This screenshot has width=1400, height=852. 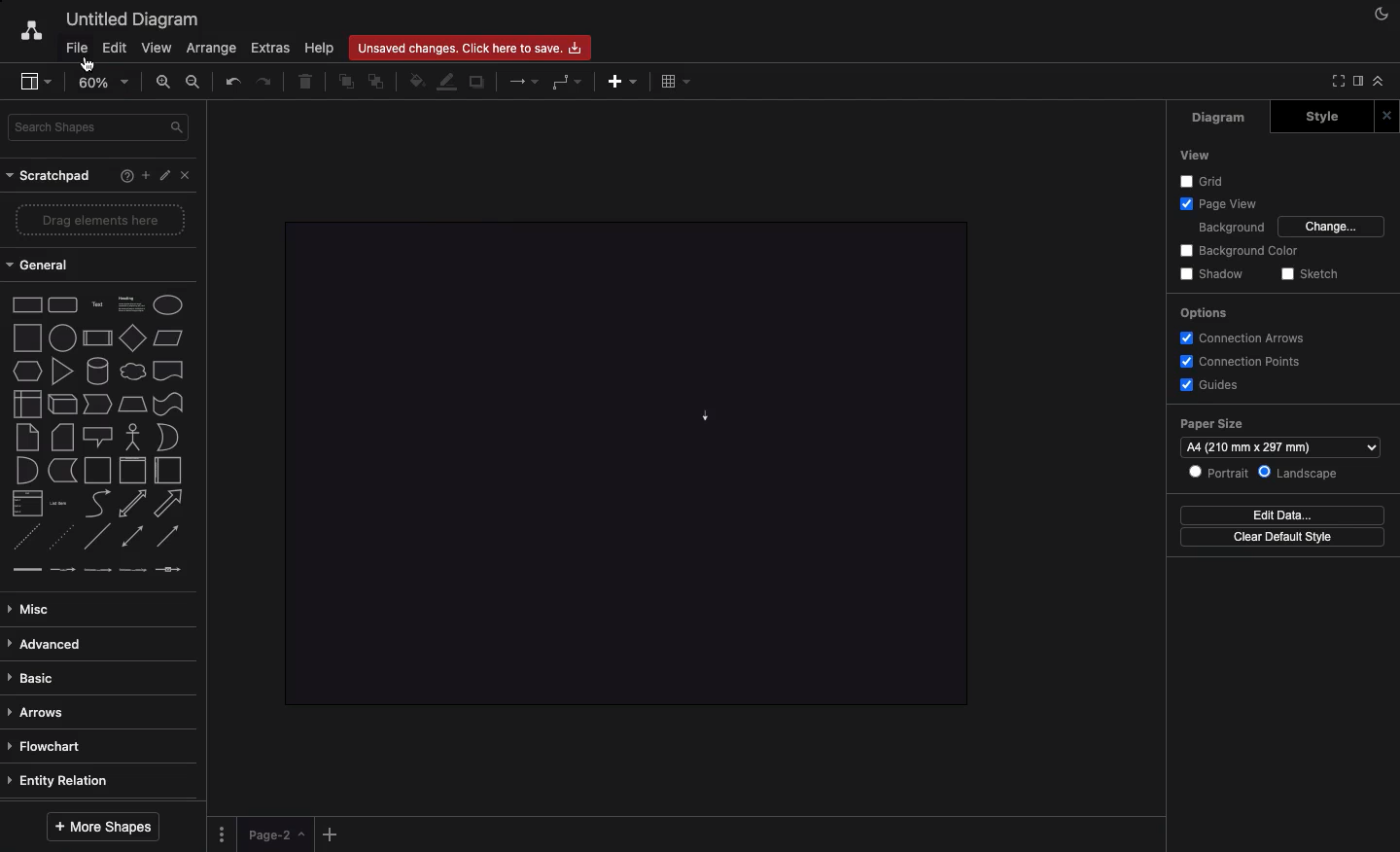 What do you see at coordinates (332, 831) in the screenshot?
I see `Add` at bounding box center [332, 831].